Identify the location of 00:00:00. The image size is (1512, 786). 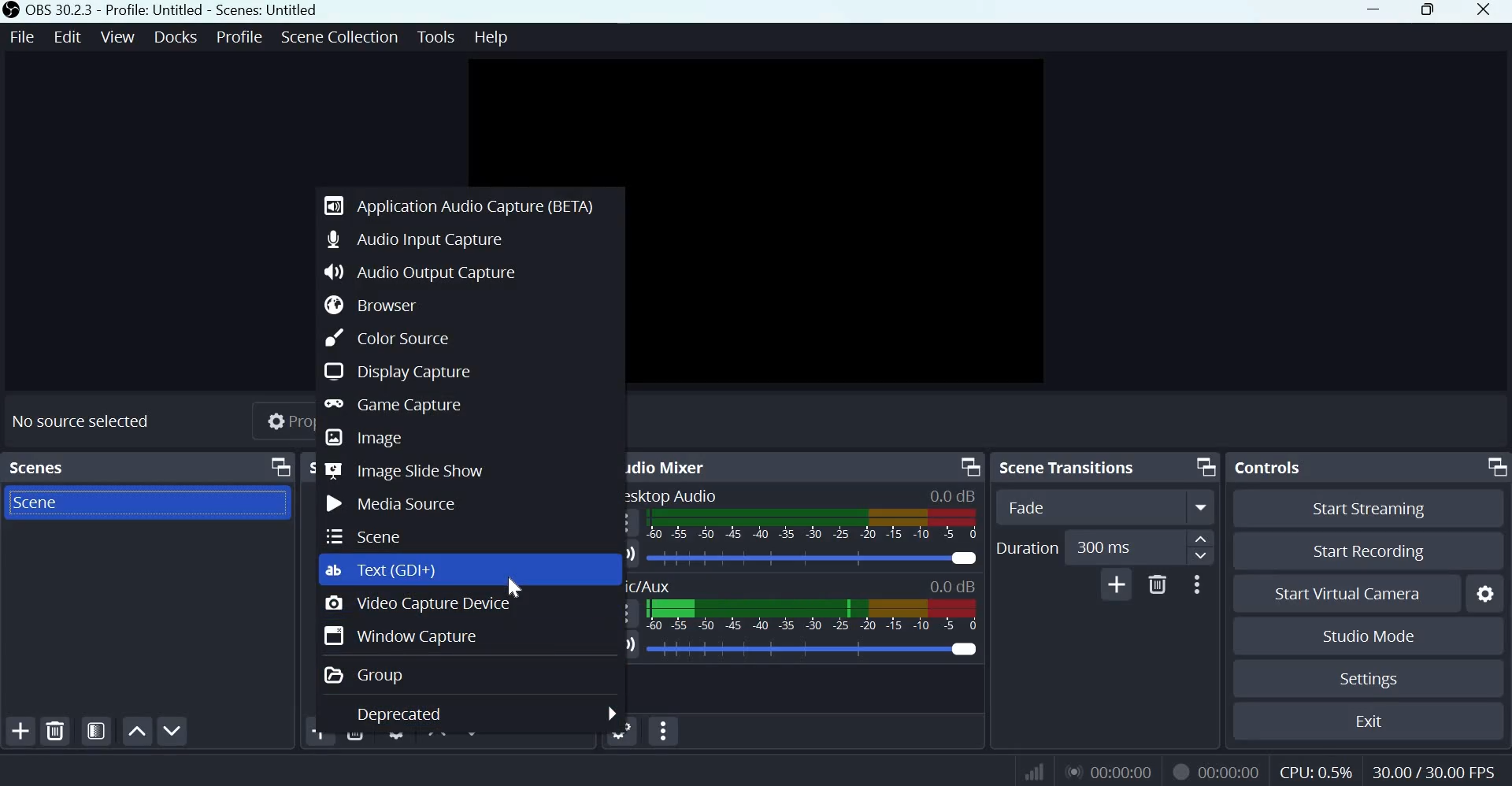
(1106, 771).